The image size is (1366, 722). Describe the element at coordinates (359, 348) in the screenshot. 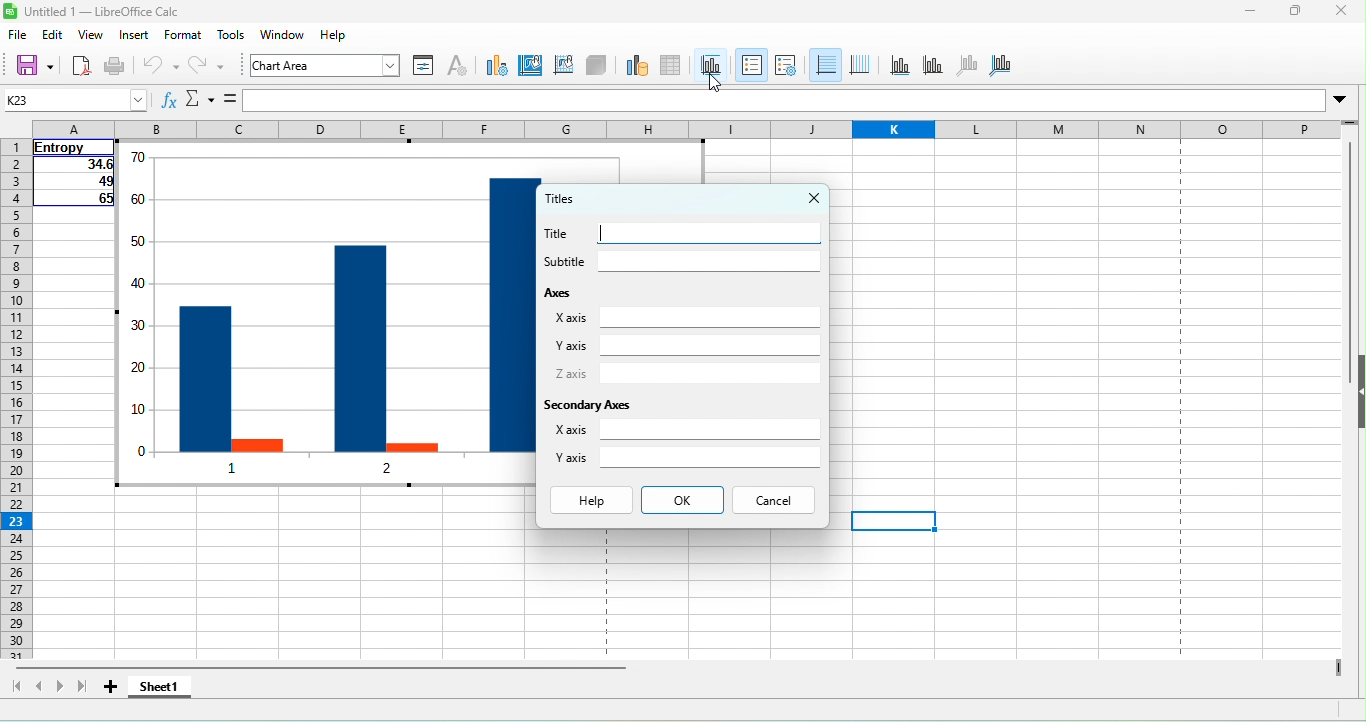

I see `entropy 2` at that location.